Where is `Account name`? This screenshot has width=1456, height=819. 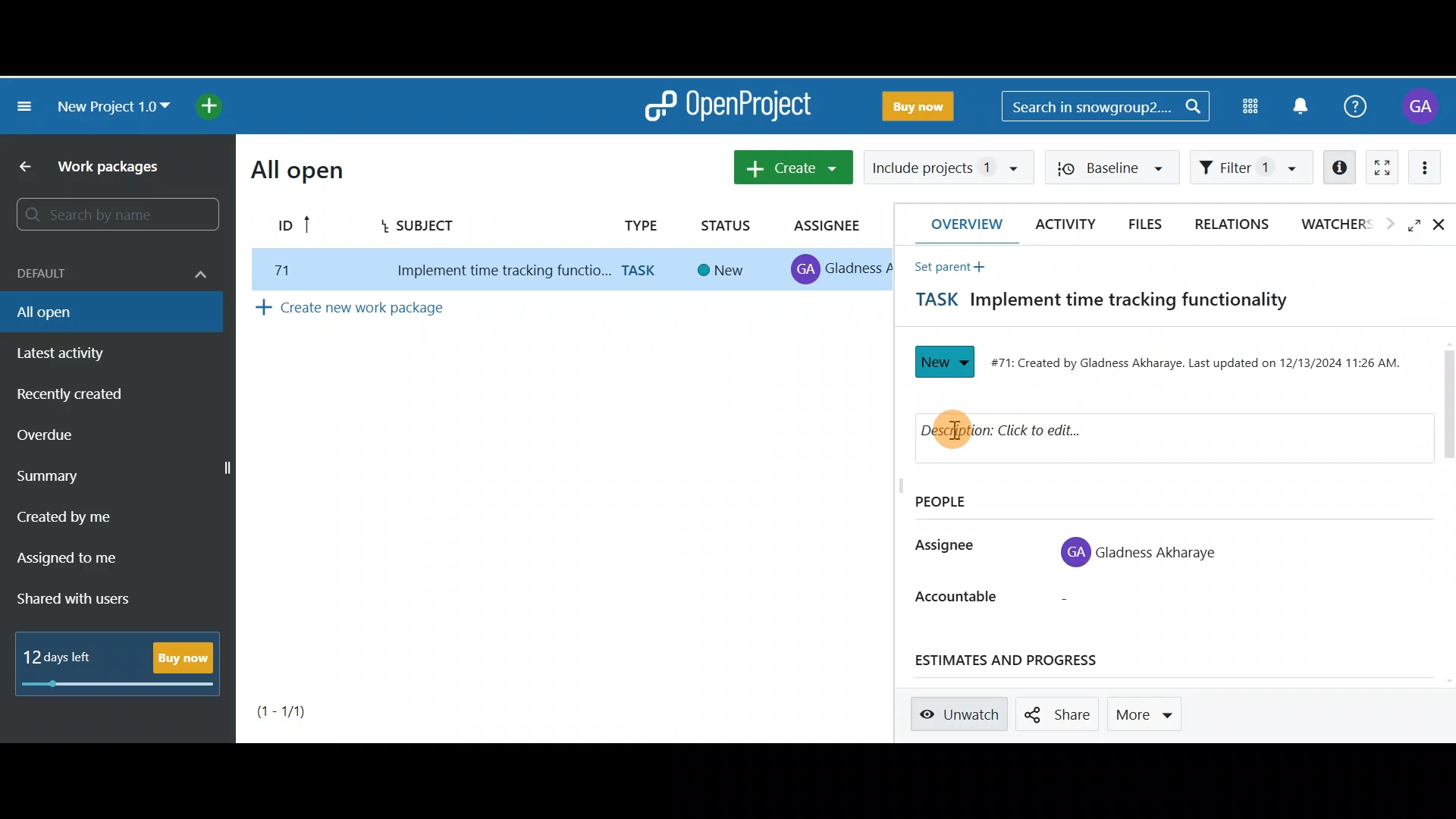 Account name is located at coordinates (1419, 107).